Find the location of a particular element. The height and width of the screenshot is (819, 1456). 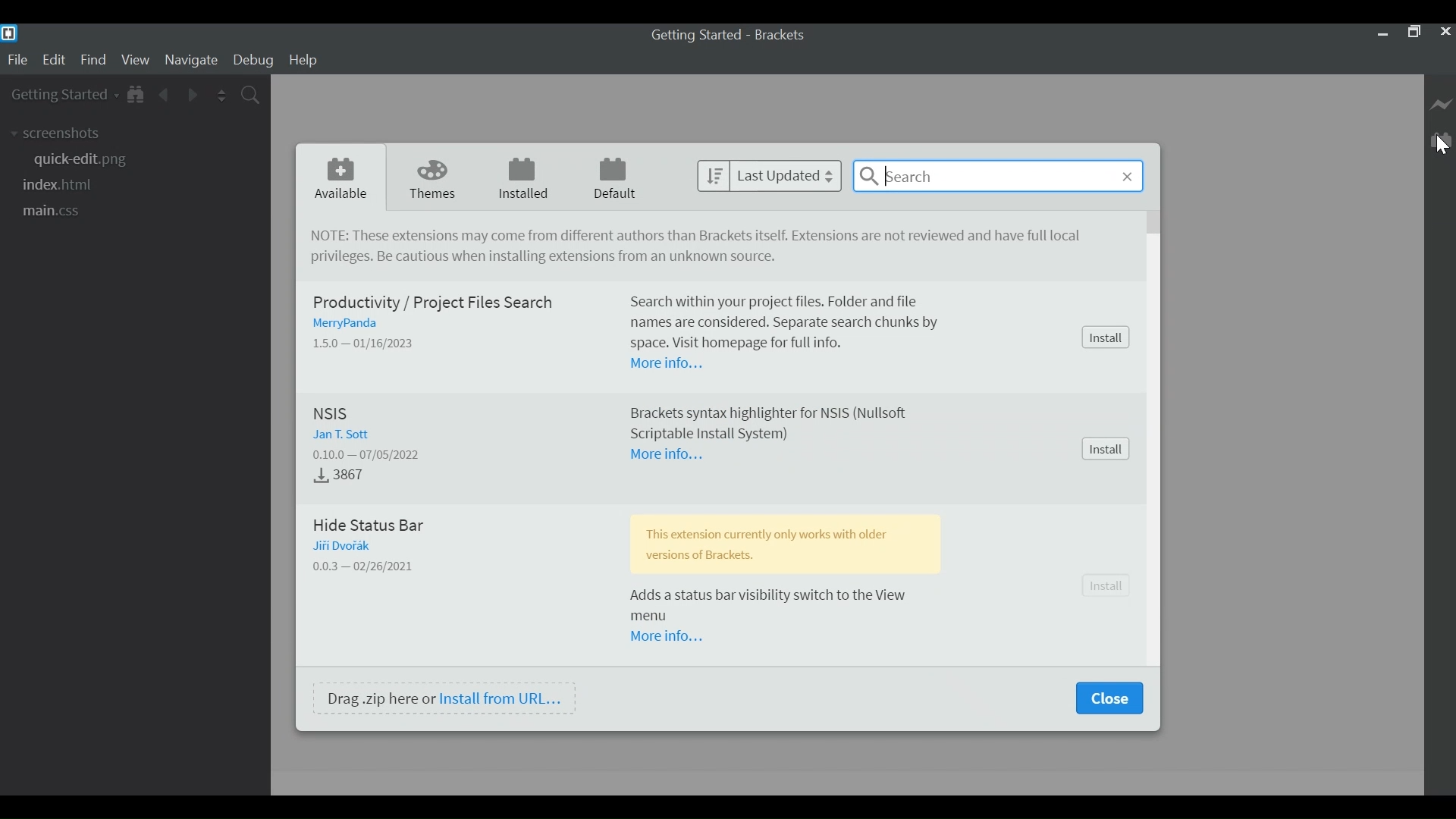

File is located at coordinates (17, 60).